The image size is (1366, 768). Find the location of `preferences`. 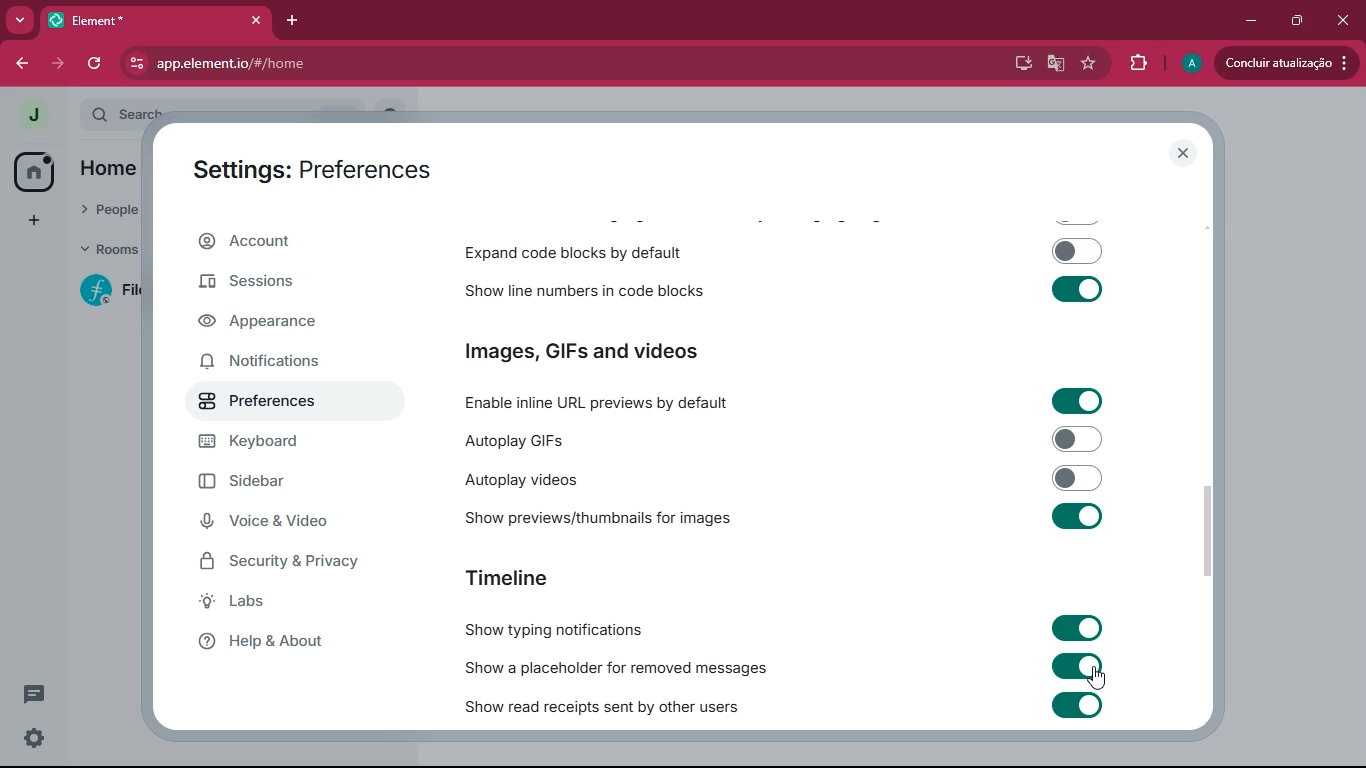

preferences is located at coordinates (276, 403).